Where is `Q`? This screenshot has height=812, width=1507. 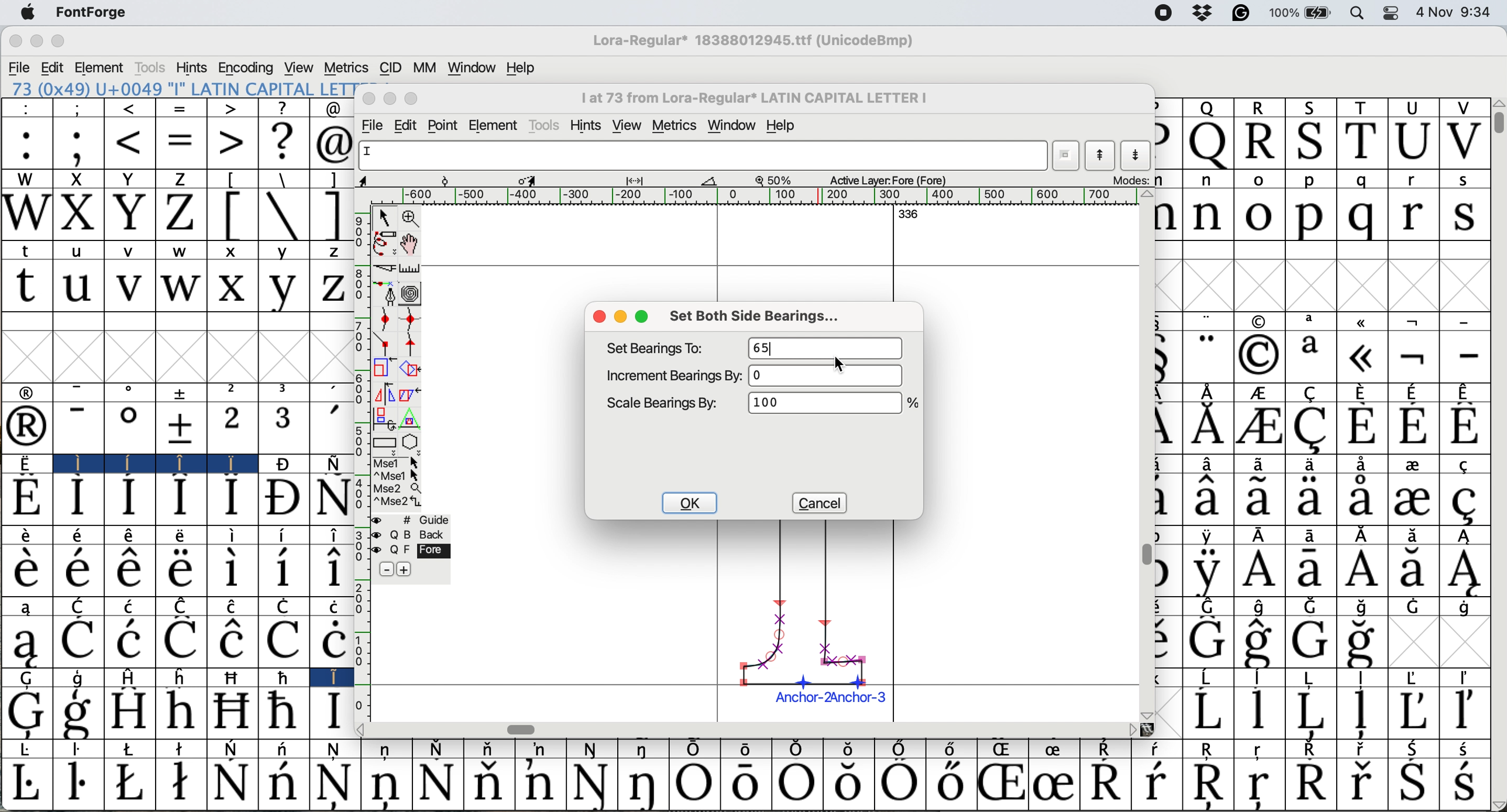
Q is located at coordinates (1209, 144).